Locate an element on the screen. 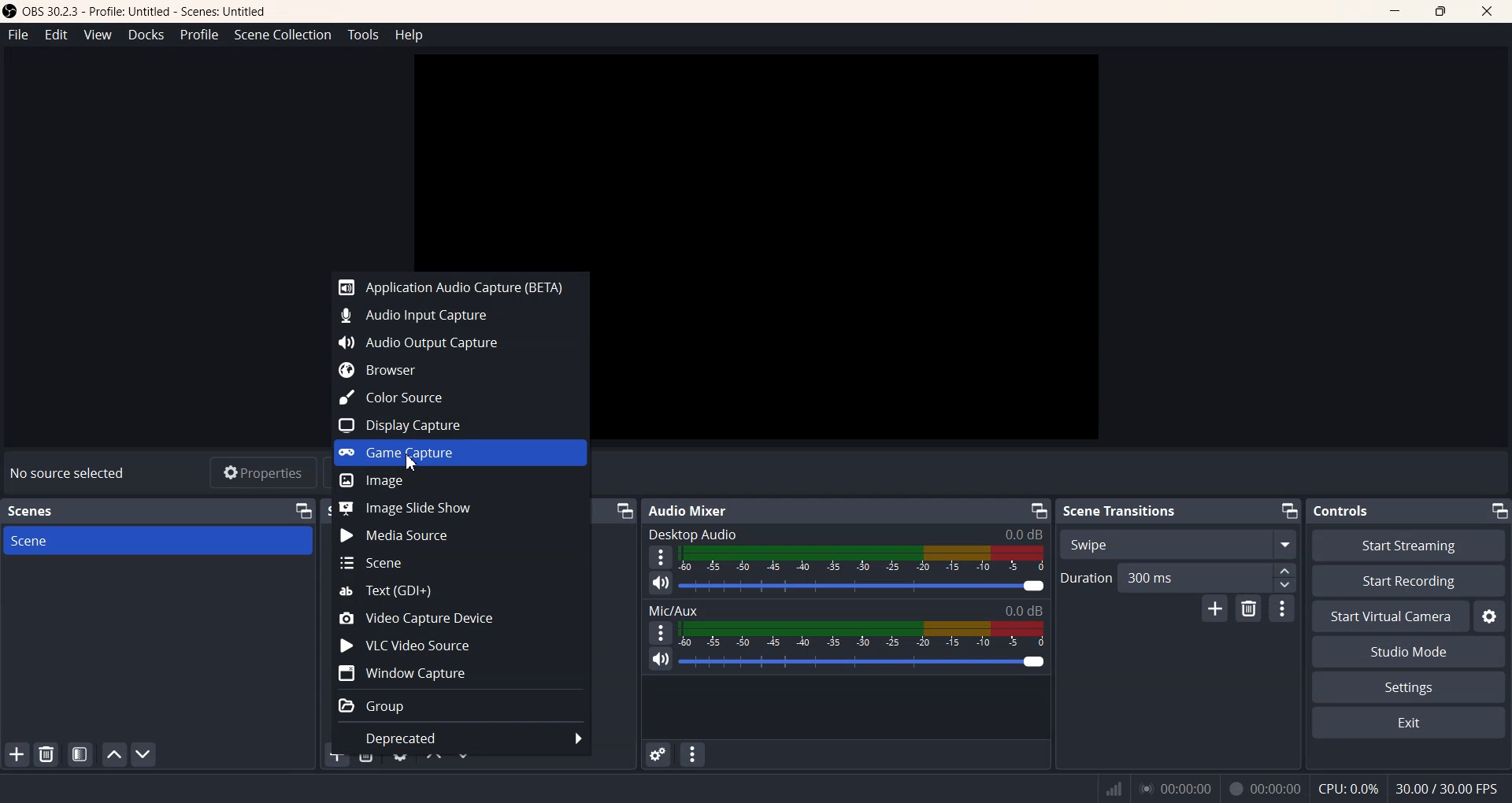  Video Capture Device is located at coordinates (461, 617).